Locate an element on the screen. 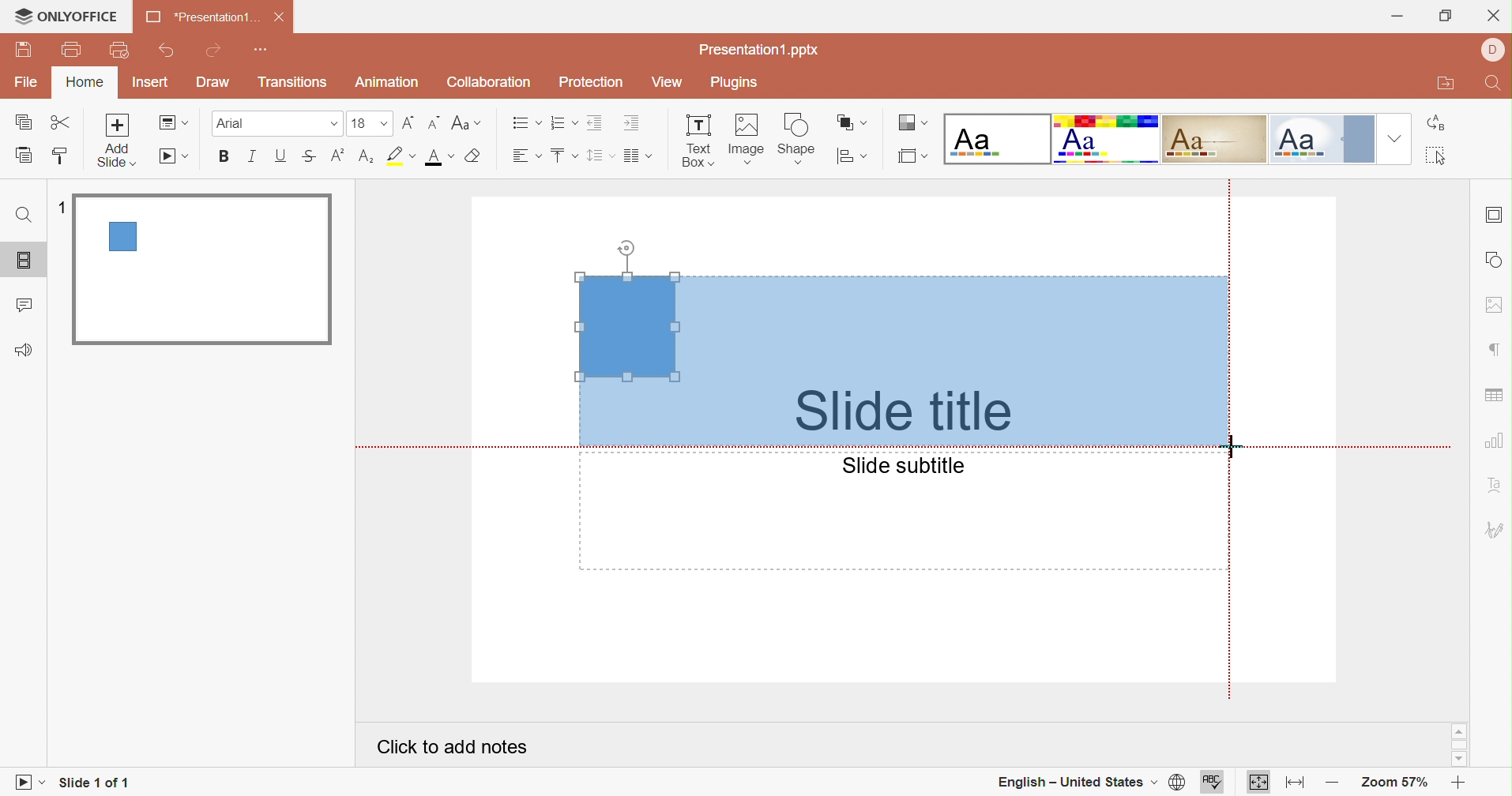 The height and width of the screenshot is (796, 1512). Arrange shape is located at coordinates (850, 123).